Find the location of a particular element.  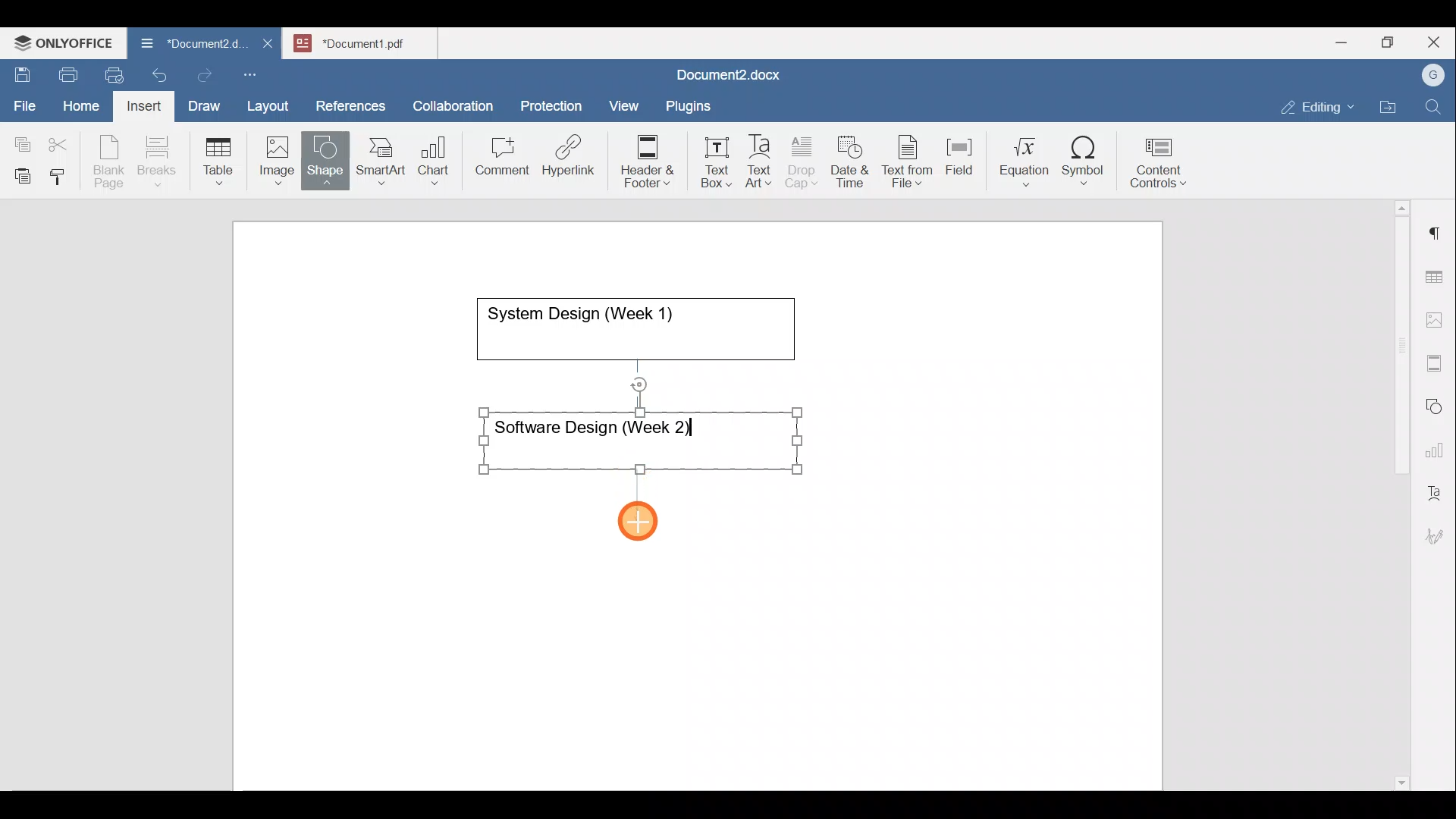

Document name is located at coordinates (185, 45).